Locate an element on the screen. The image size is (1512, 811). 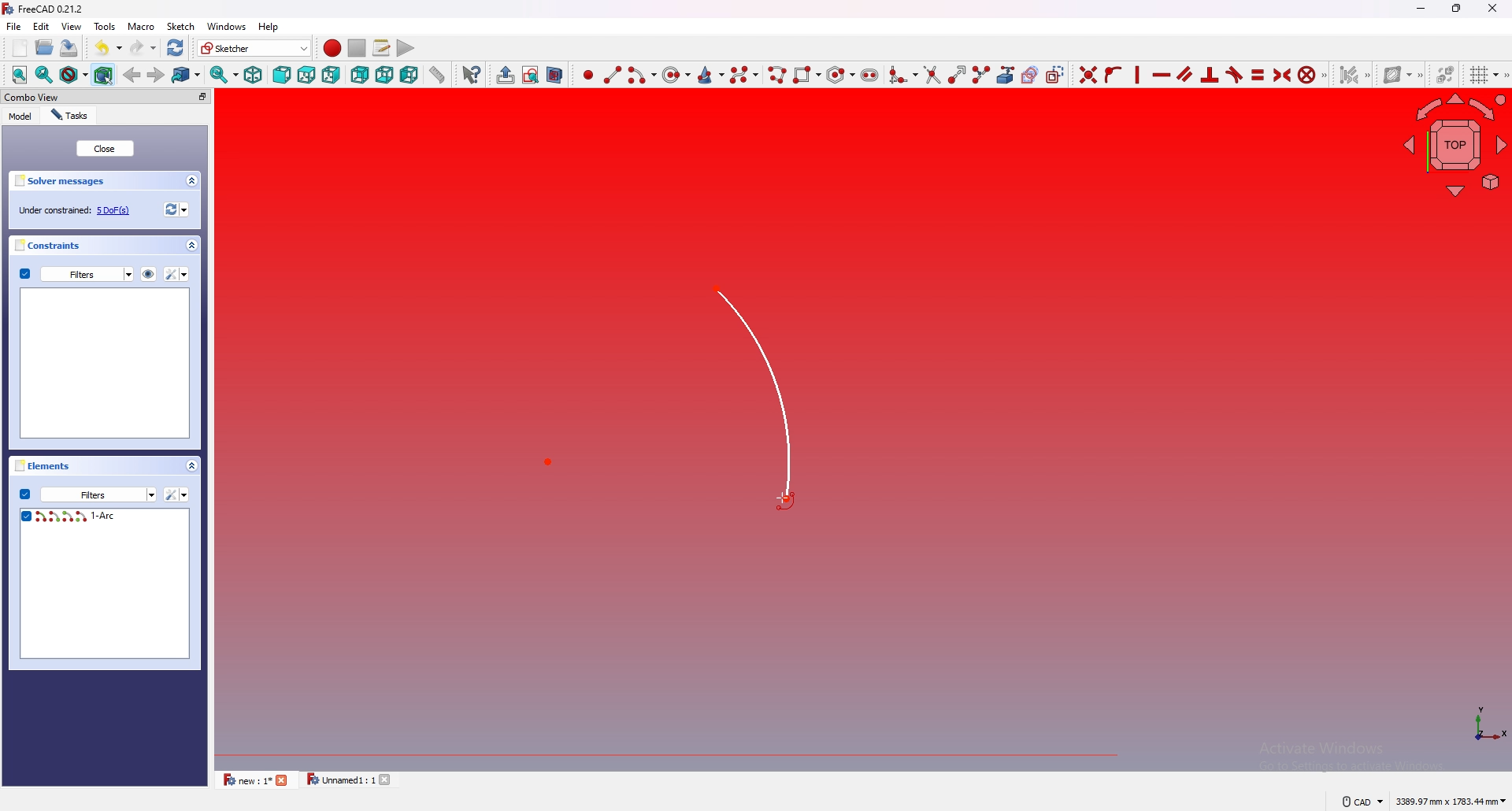
create arc is located at coordinates (641, 76).